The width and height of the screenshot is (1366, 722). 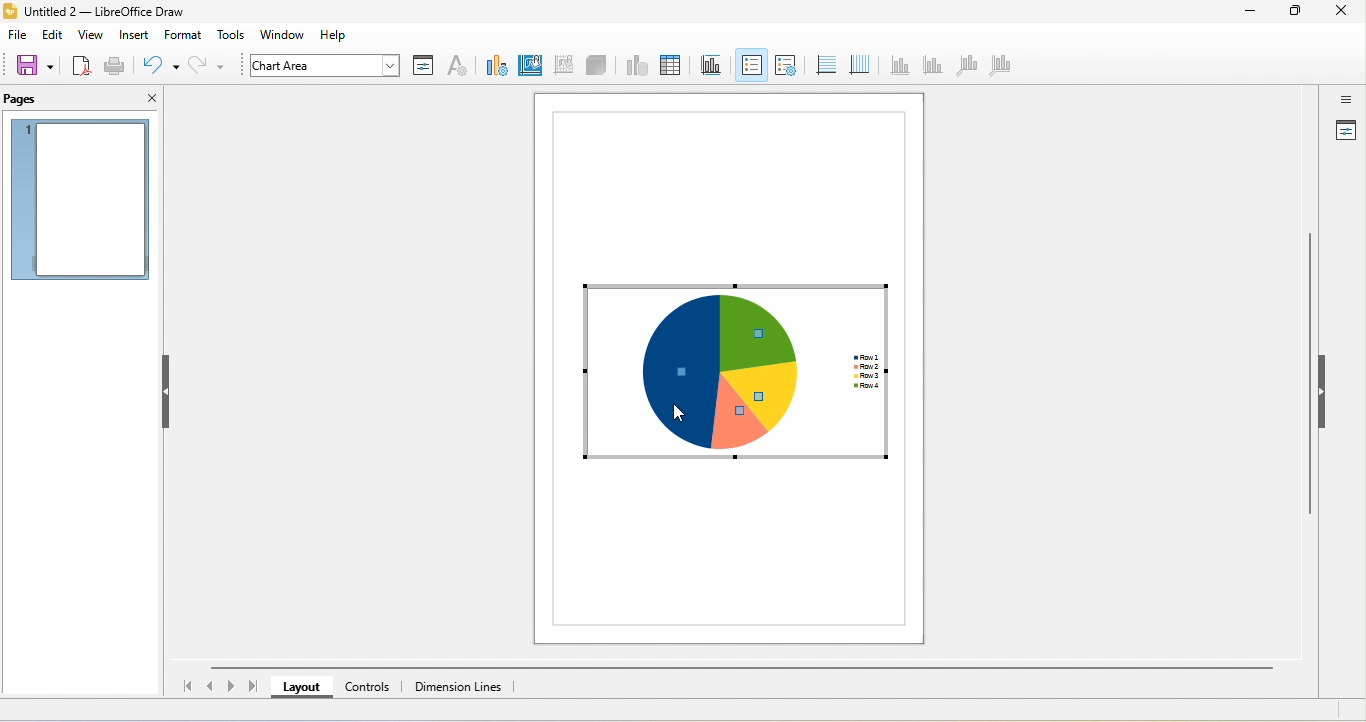 I want to click on y axis, so click(x=931, y=66).